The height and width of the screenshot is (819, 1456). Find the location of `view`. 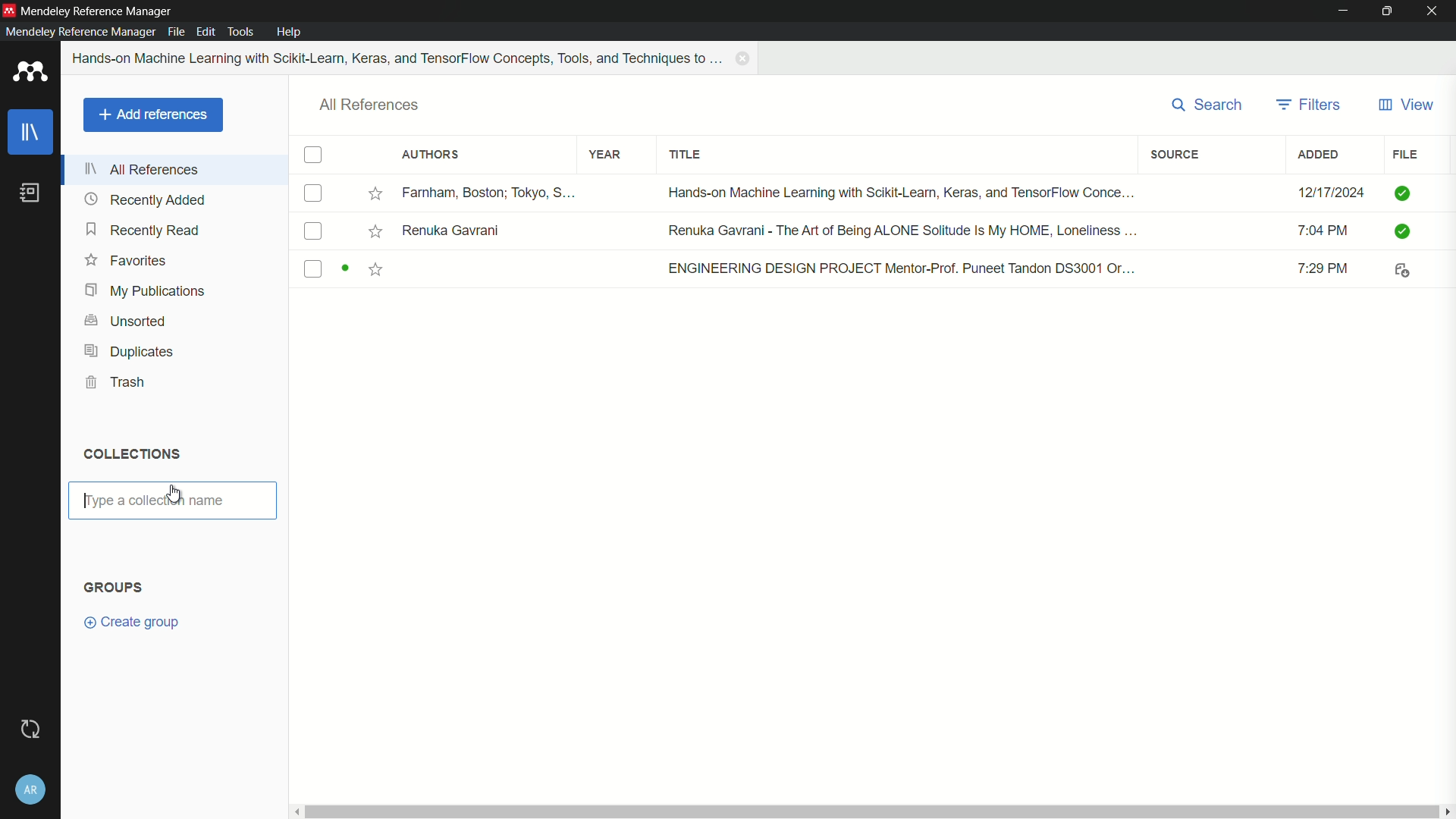

view is located at coordinates (1405, 105).